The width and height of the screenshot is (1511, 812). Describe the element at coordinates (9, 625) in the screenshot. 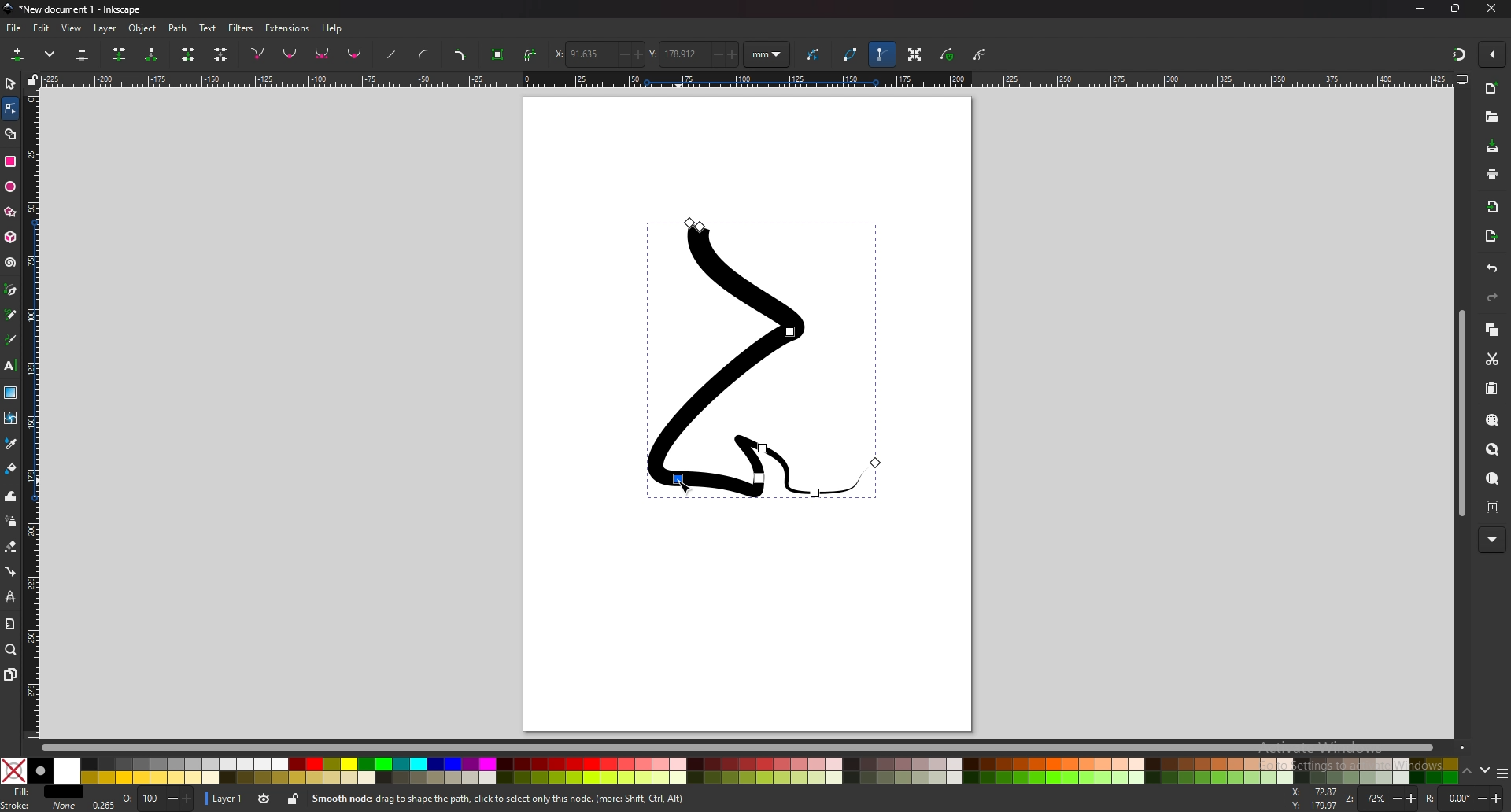

I see `measure` at that location.